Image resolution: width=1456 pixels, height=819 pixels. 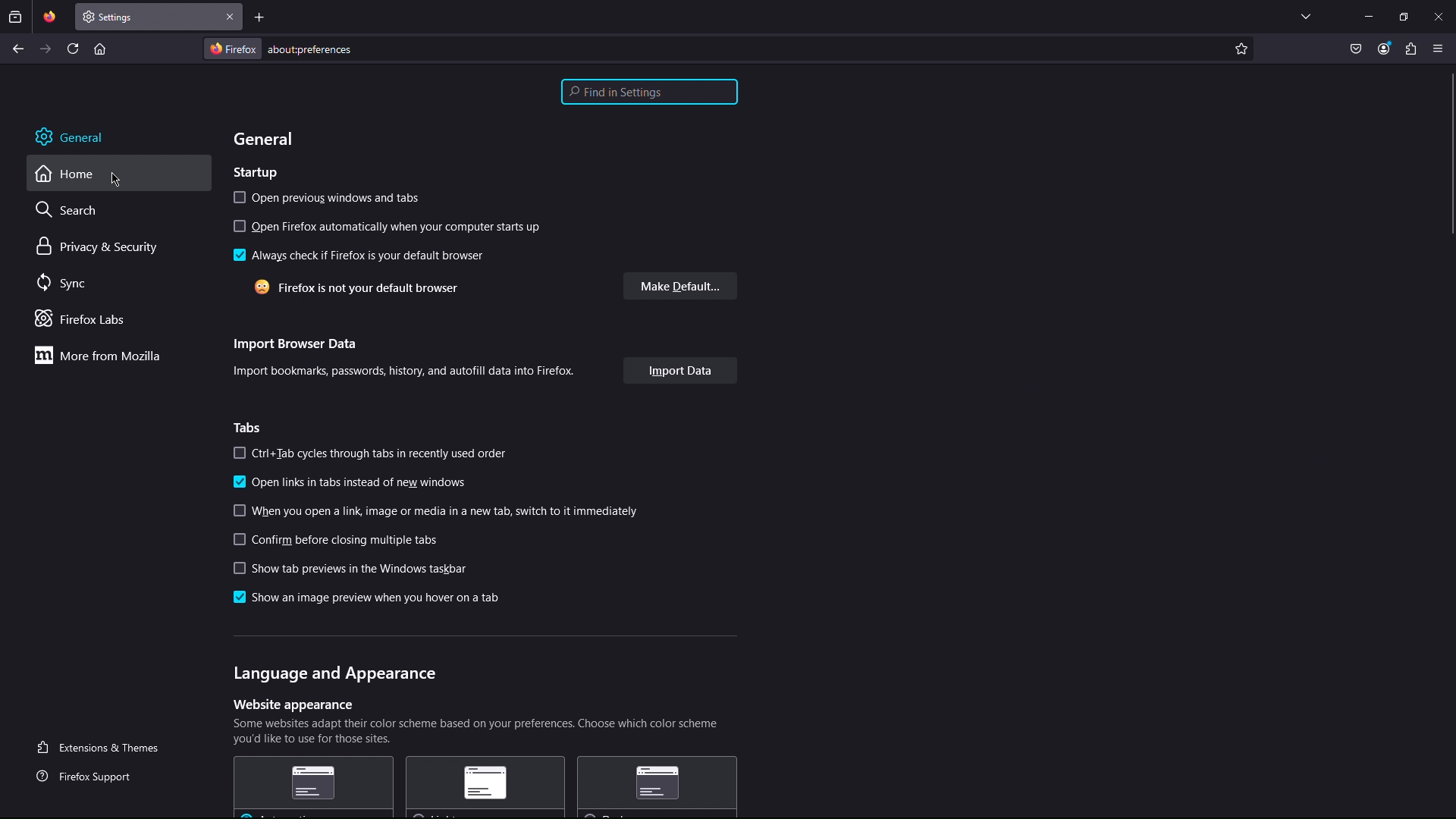 I want to click on New Tab, so click(x=148, y=17).